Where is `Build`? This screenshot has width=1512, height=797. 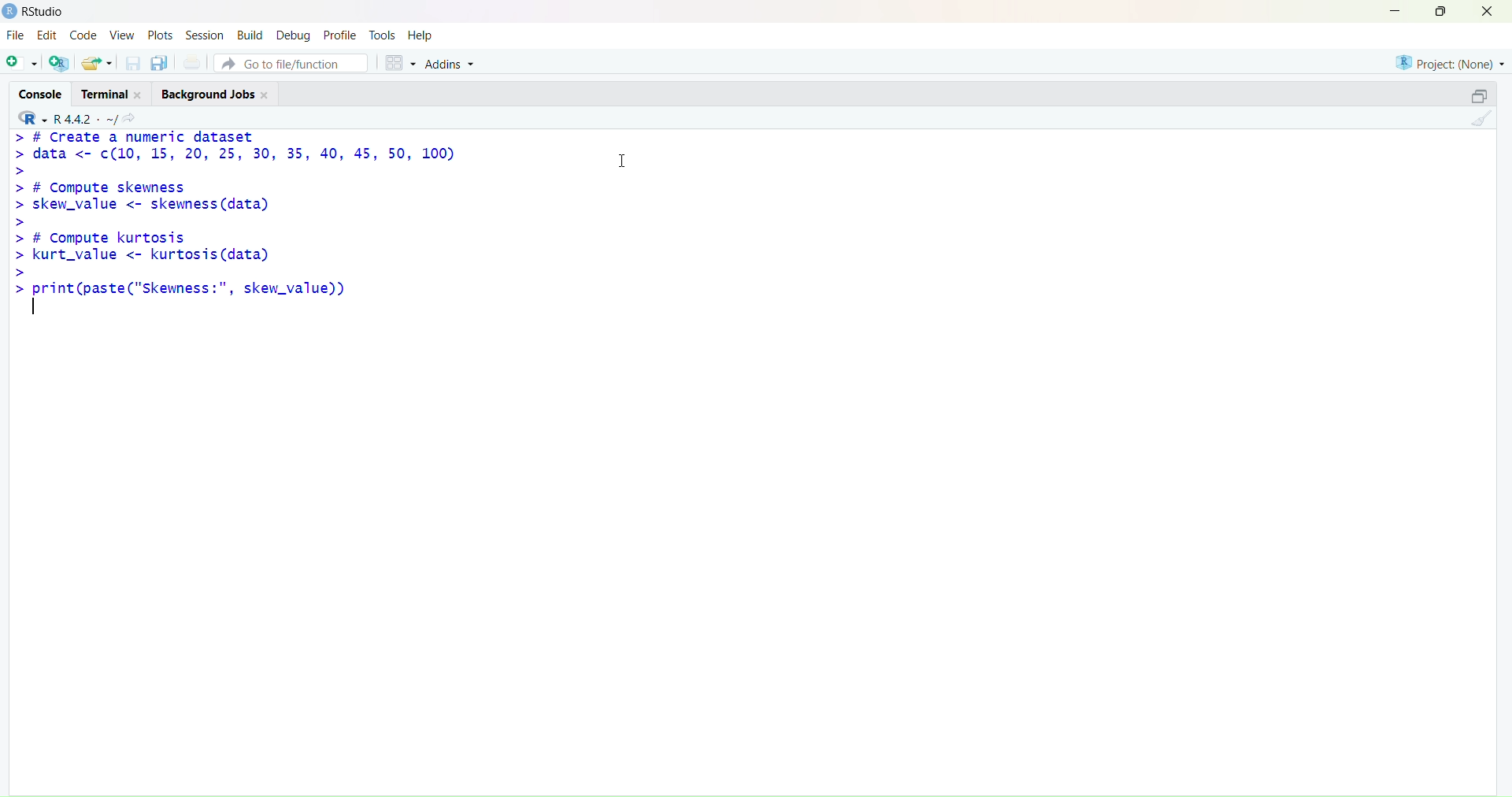 Build is located at coordinates (250, 34).